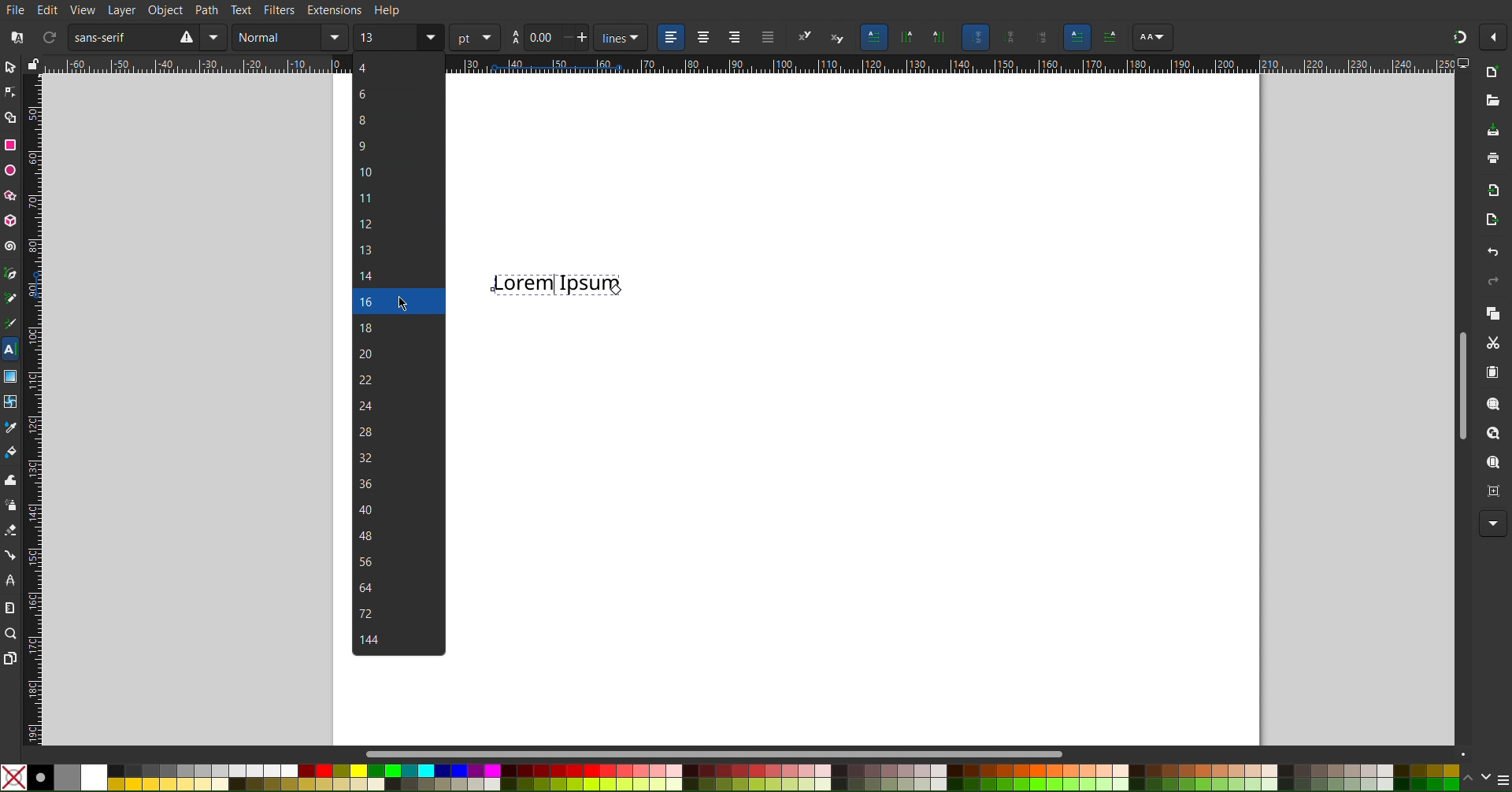  Describe the element at coordinates (1477, 779) in the screenshot. I see `scroll color options` at that location.